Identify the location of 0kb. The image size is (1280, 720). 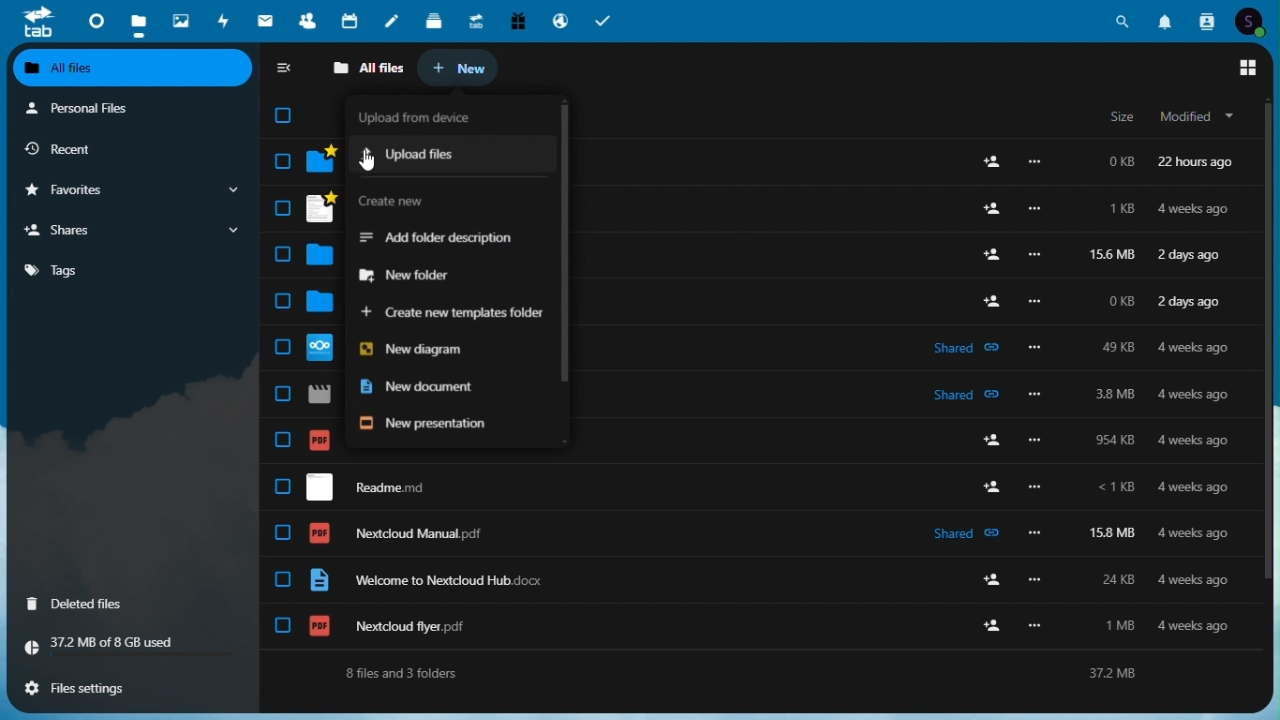
(1116, 301).